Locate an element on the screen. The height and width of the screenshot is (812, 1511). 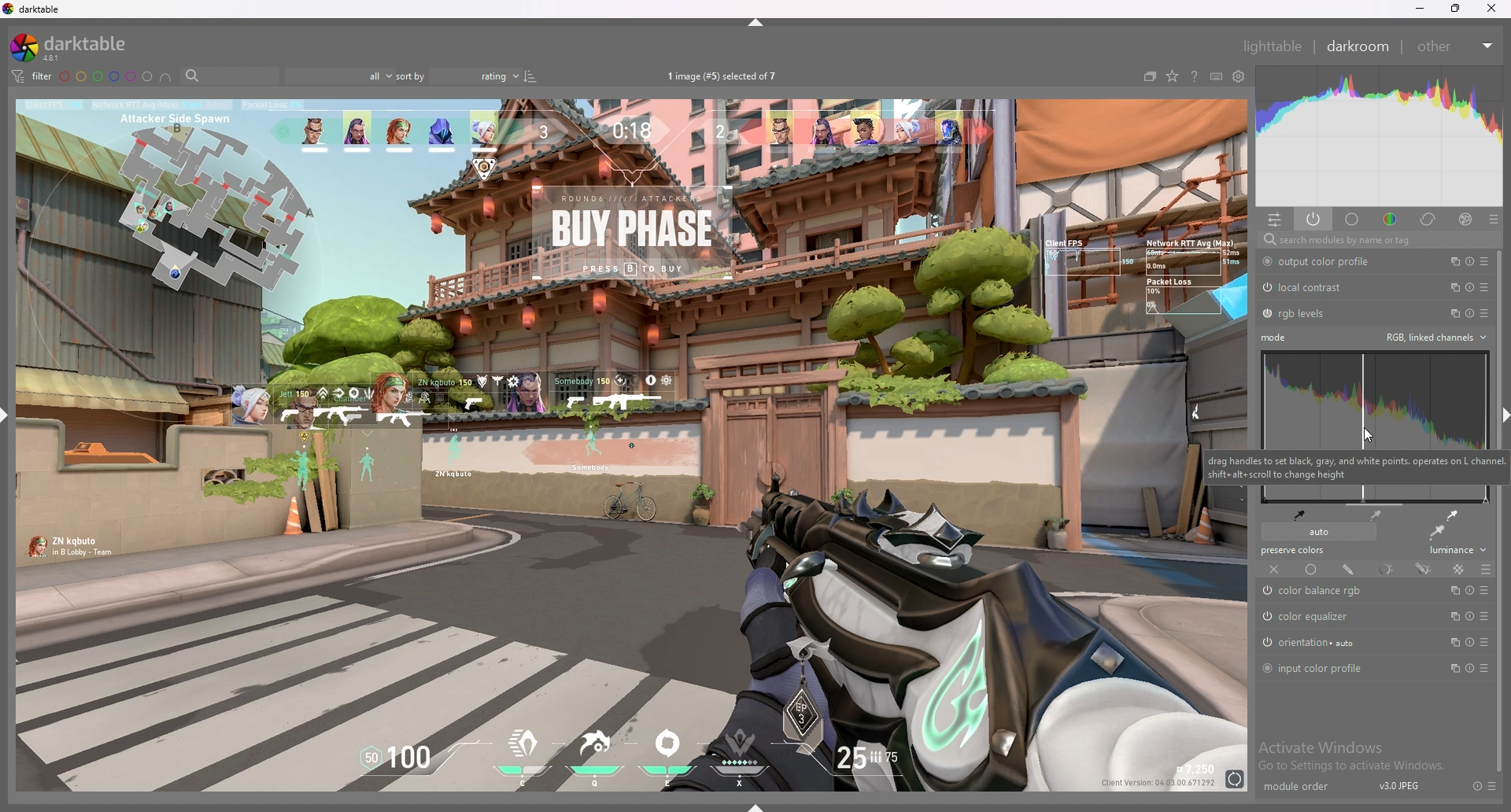
Windows Activation Prompt is located at coordinates (1356, 755).